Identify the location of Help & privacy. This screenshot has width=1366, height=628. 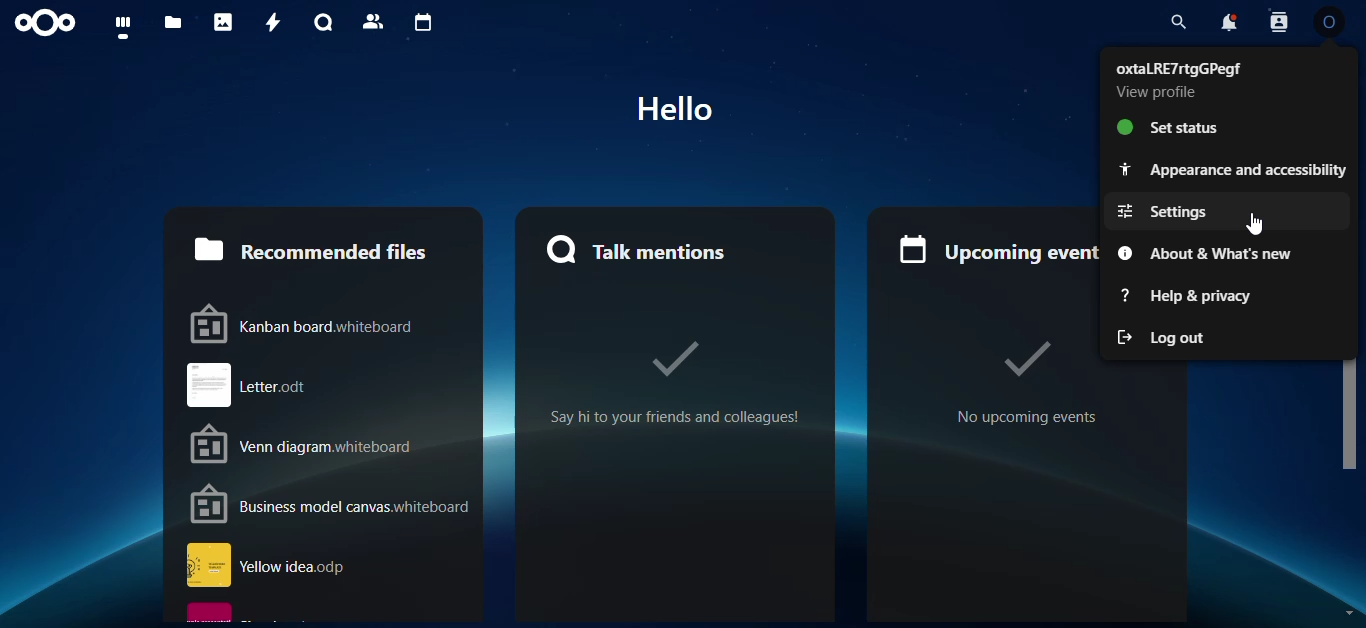
(1228, 296).